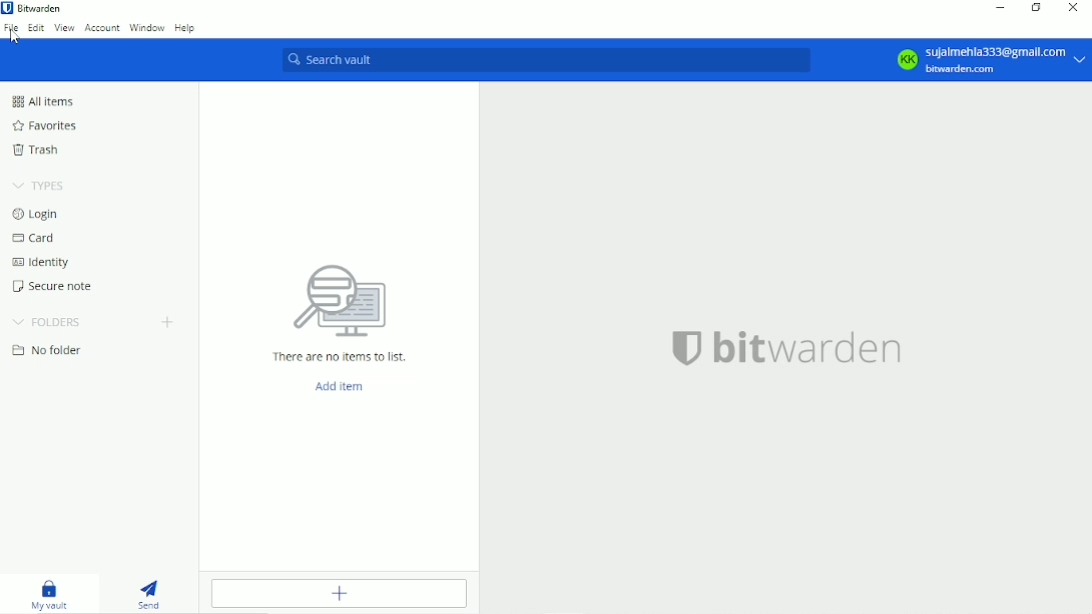 Image resolution: width=1092 pixels, height=614 pixels. Describe the element at coordinates (1036, 7) in the screenshot. I see `Restore down` at that location.